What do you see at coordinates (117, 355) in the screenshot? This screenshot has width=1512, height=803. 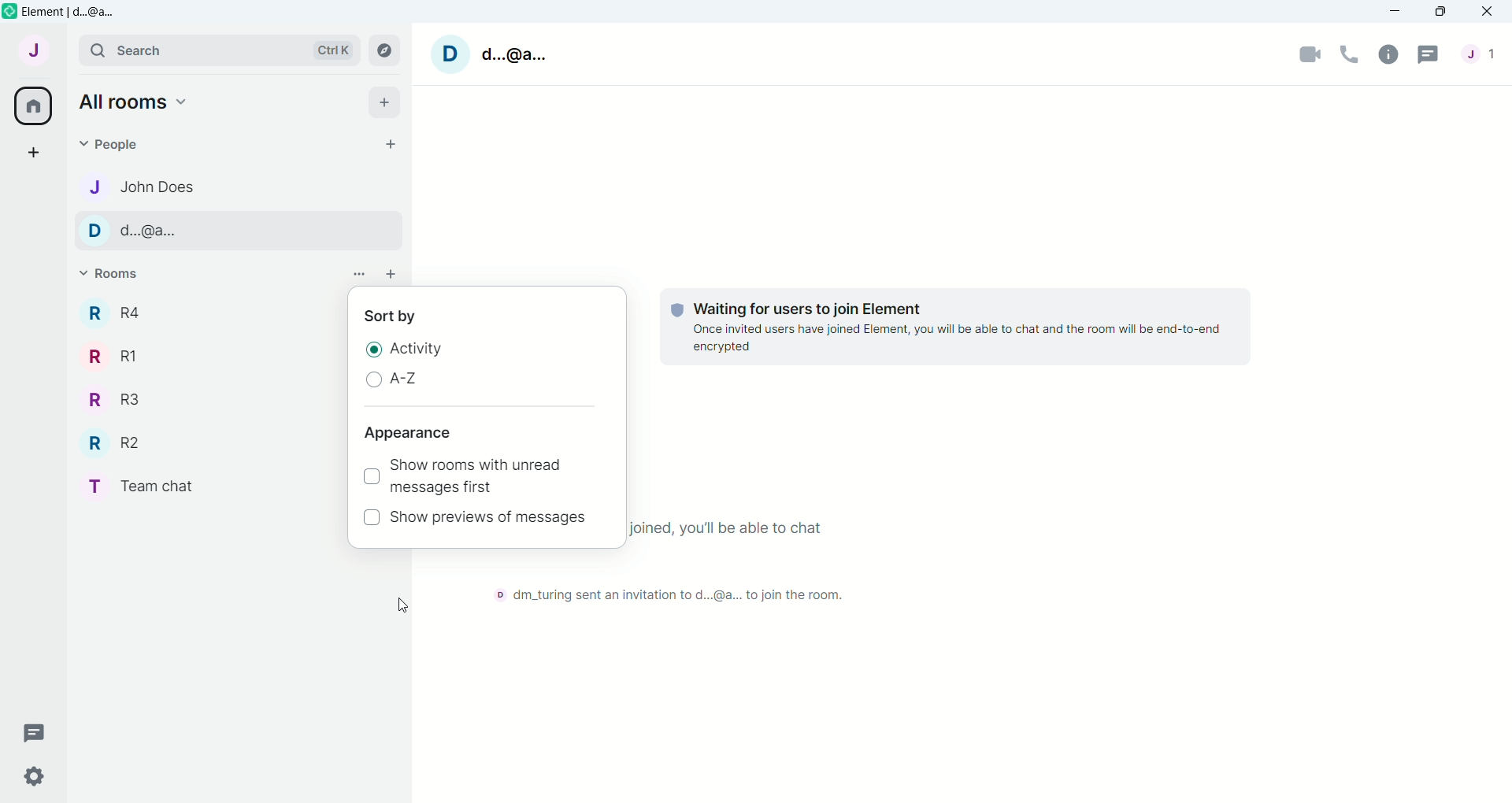 I see `Room R1` at bounding box center [117, 355].